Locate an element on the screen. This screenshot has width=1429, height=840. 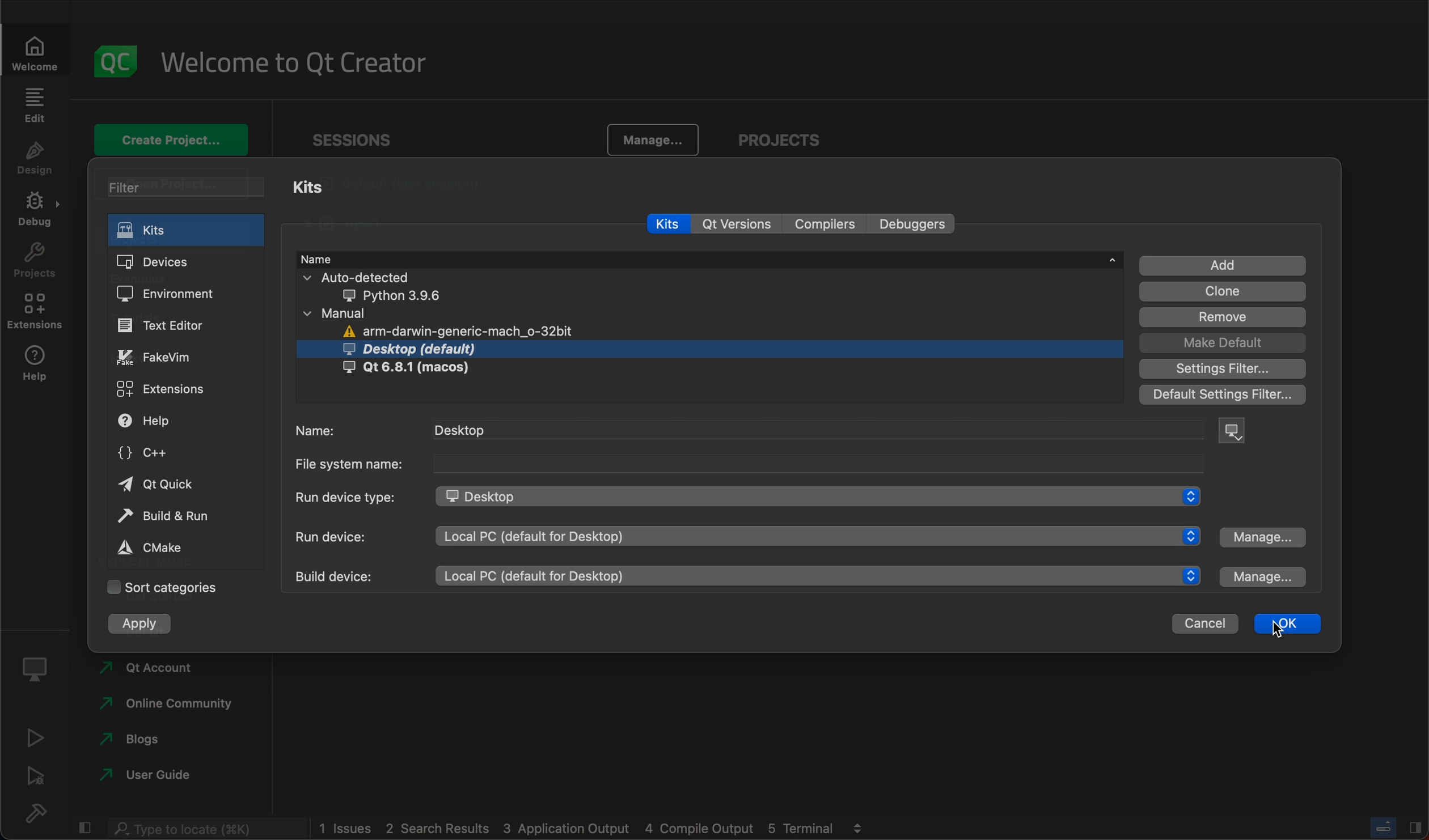
python 3.9.6 is located at coordinates (422, 297).